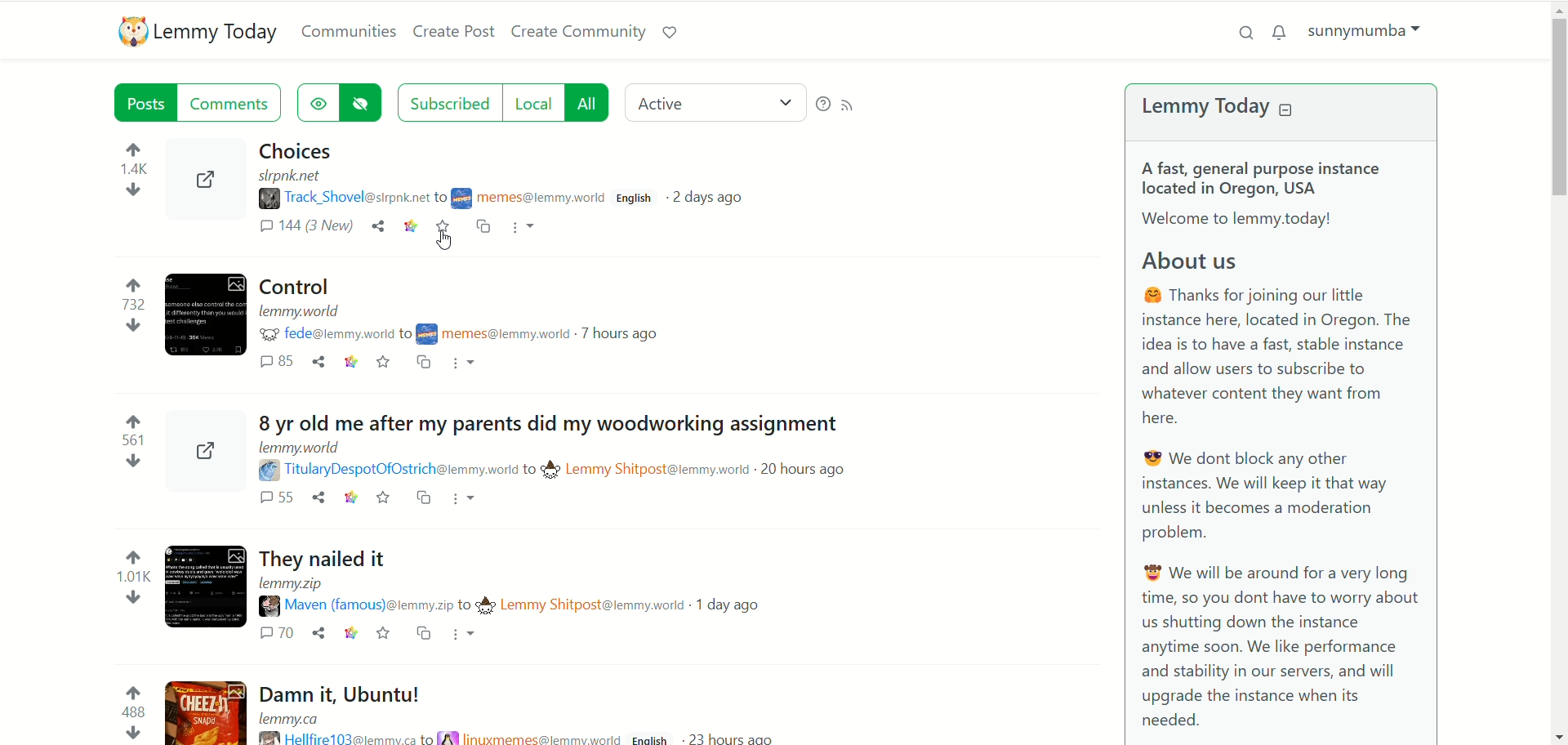 This screenshot has width=1568, height=745. What do you see at coordinates (283, 363) in the screenshot?
I see `comments` at bounding box center [283, 363].